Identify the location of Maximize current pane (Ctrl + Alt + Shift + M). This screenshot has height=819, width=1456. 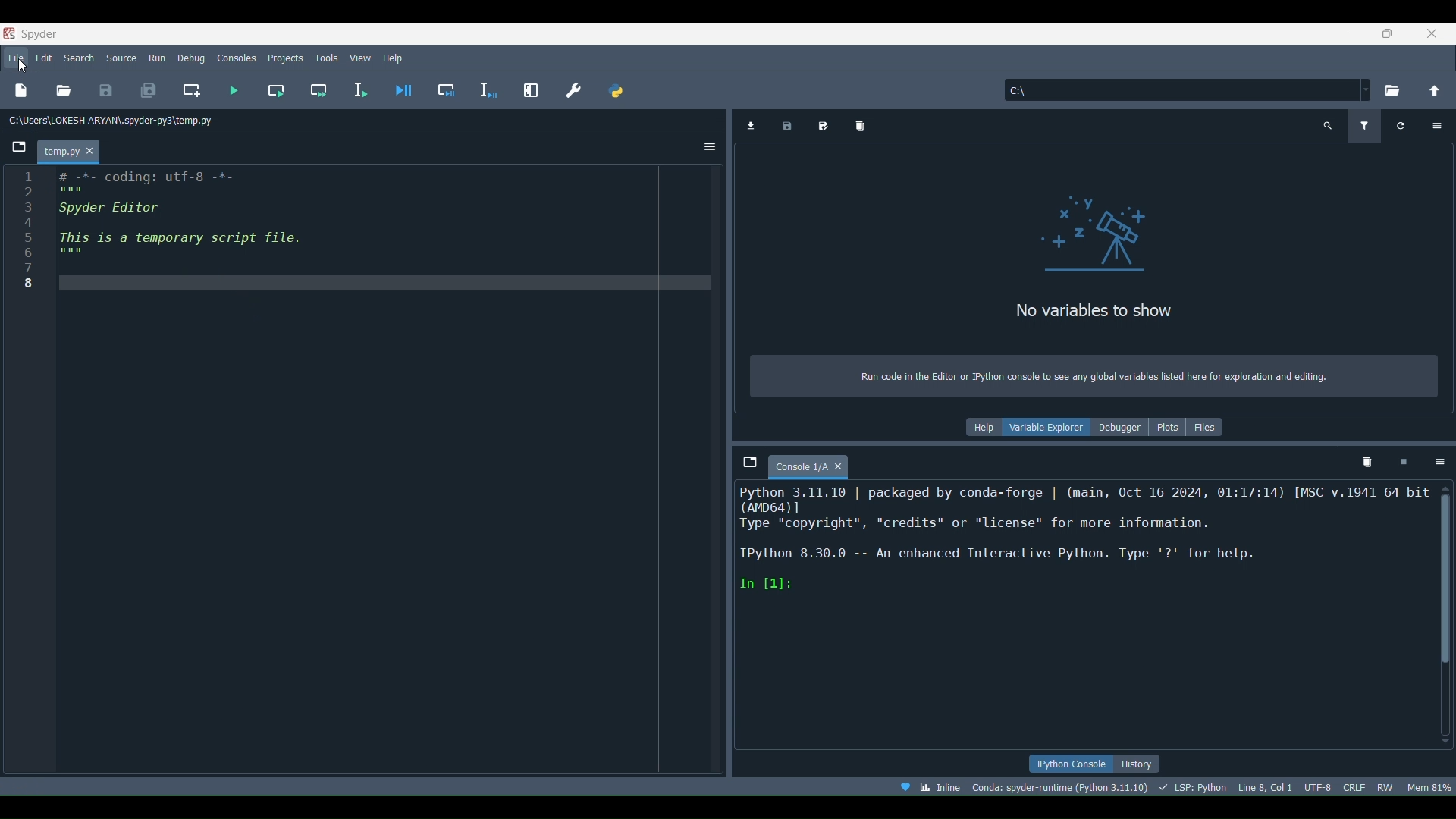
(529, 90).